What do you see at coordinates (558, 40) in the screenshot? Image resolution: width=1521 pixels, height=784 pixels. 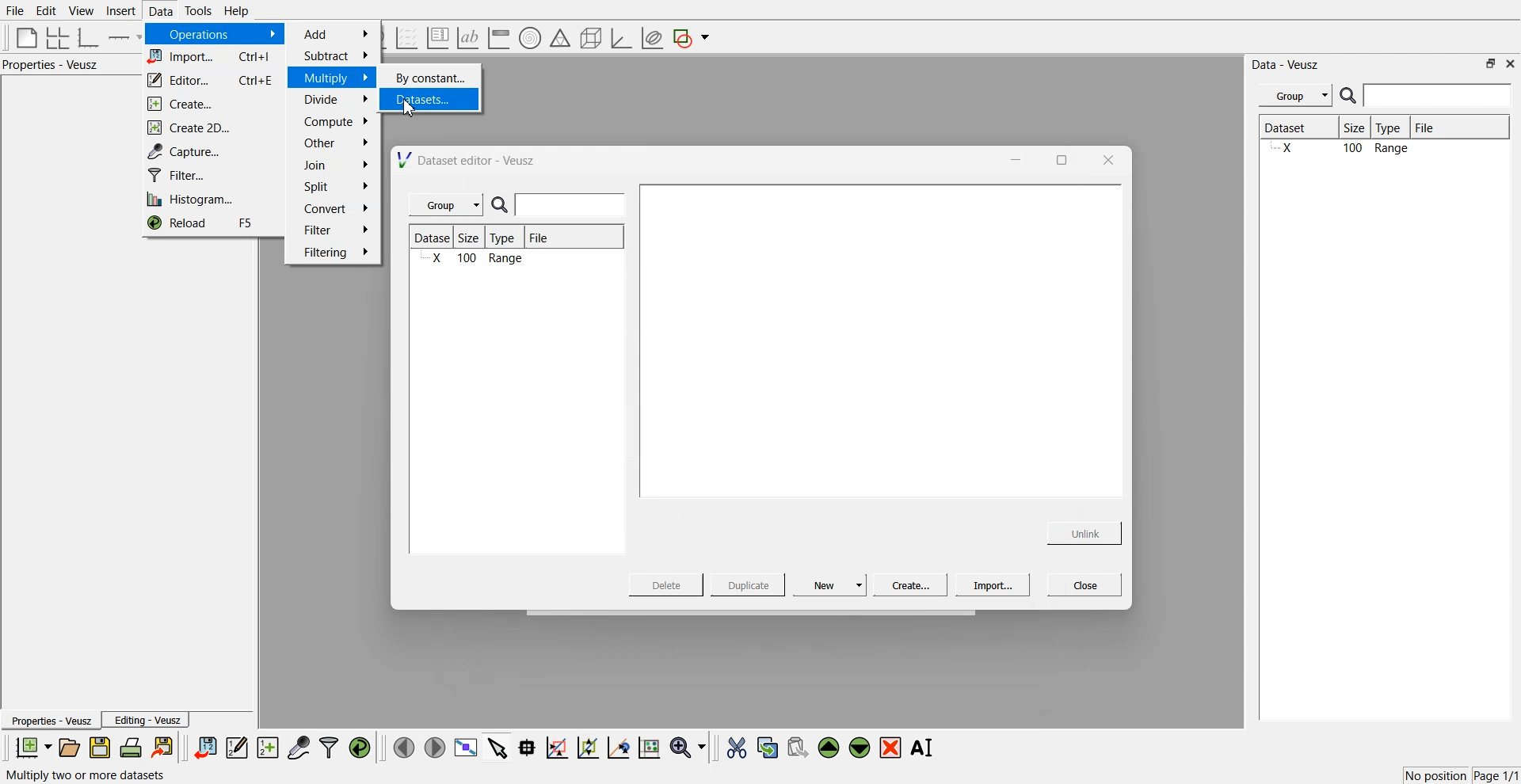 I see `ternary shapes` at bounding box center [558, 40].